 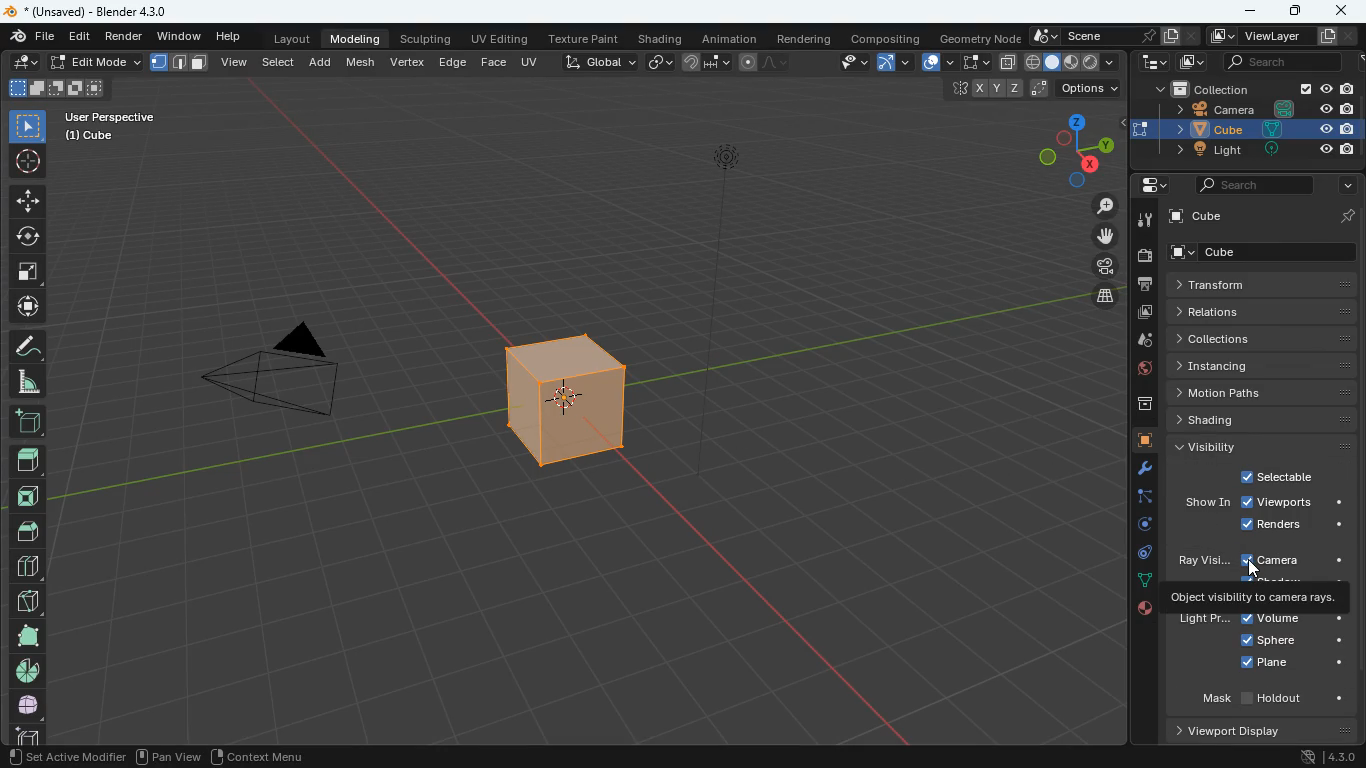 I want to click on camera, so click(x=1147, y=258).